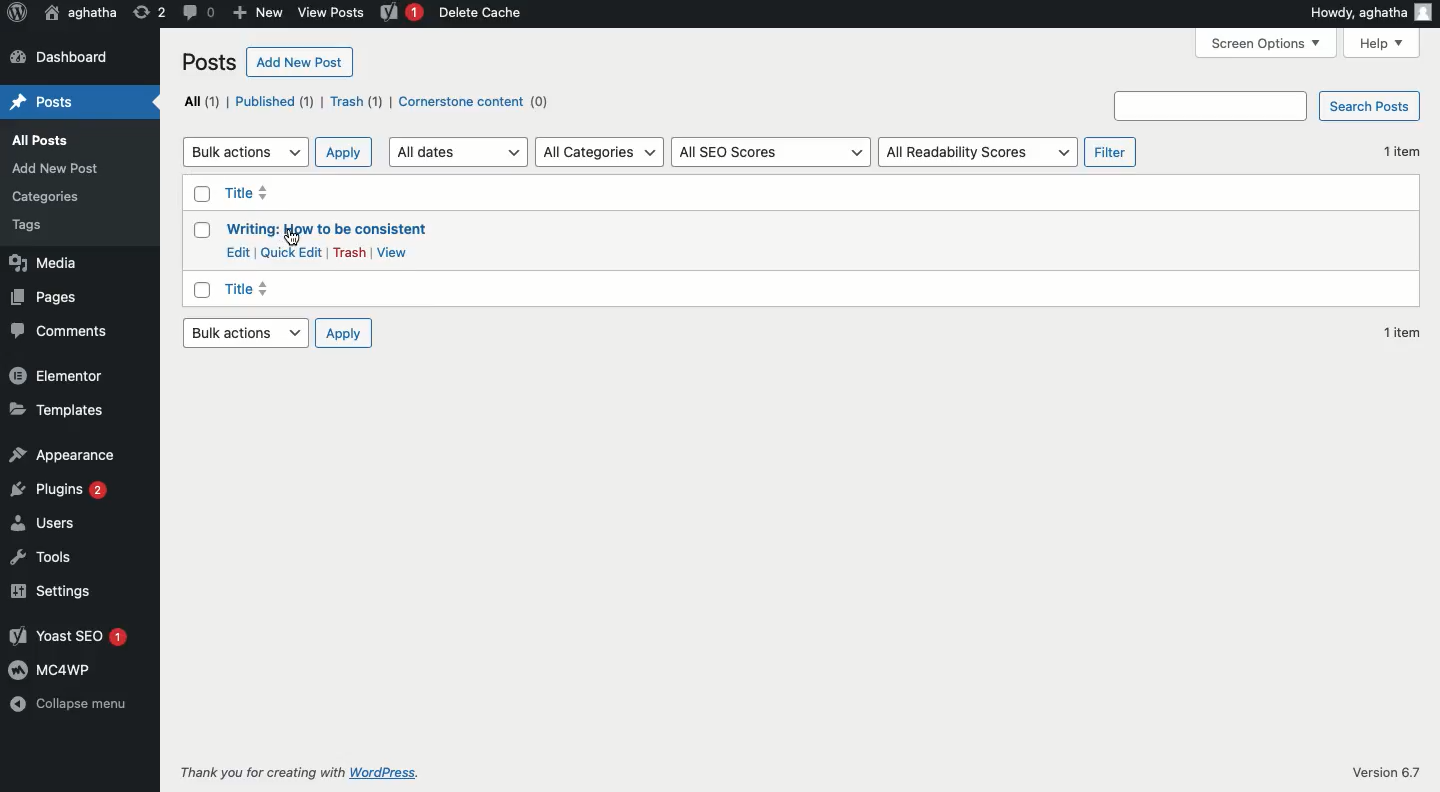 This screenshot has width=1440, height=792. I want to click on Dashboard, so click(80, 56).